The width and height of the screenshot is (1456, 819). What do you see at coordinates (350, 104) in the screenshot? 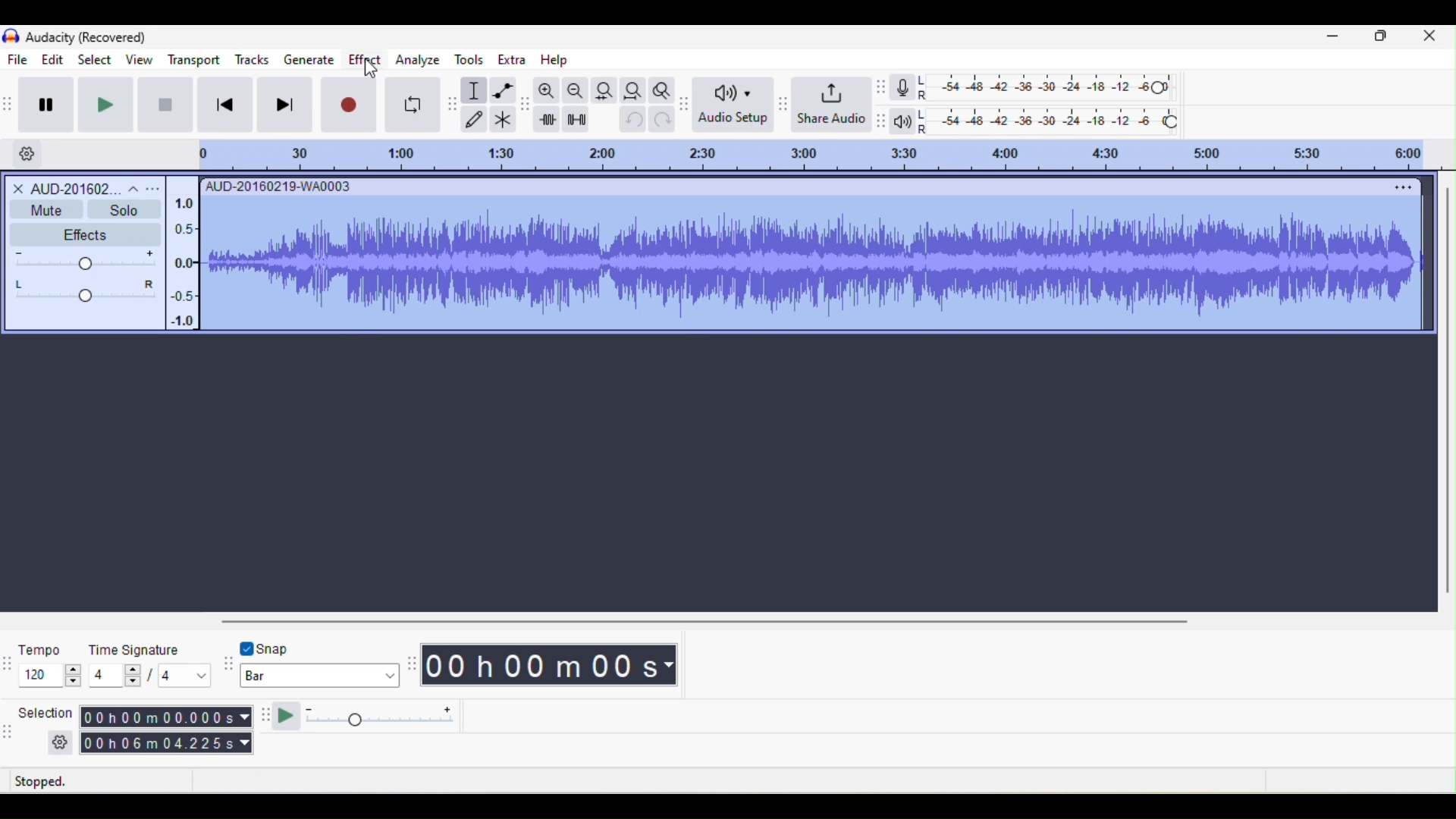
I see `record` at bounding box center [350, 104].